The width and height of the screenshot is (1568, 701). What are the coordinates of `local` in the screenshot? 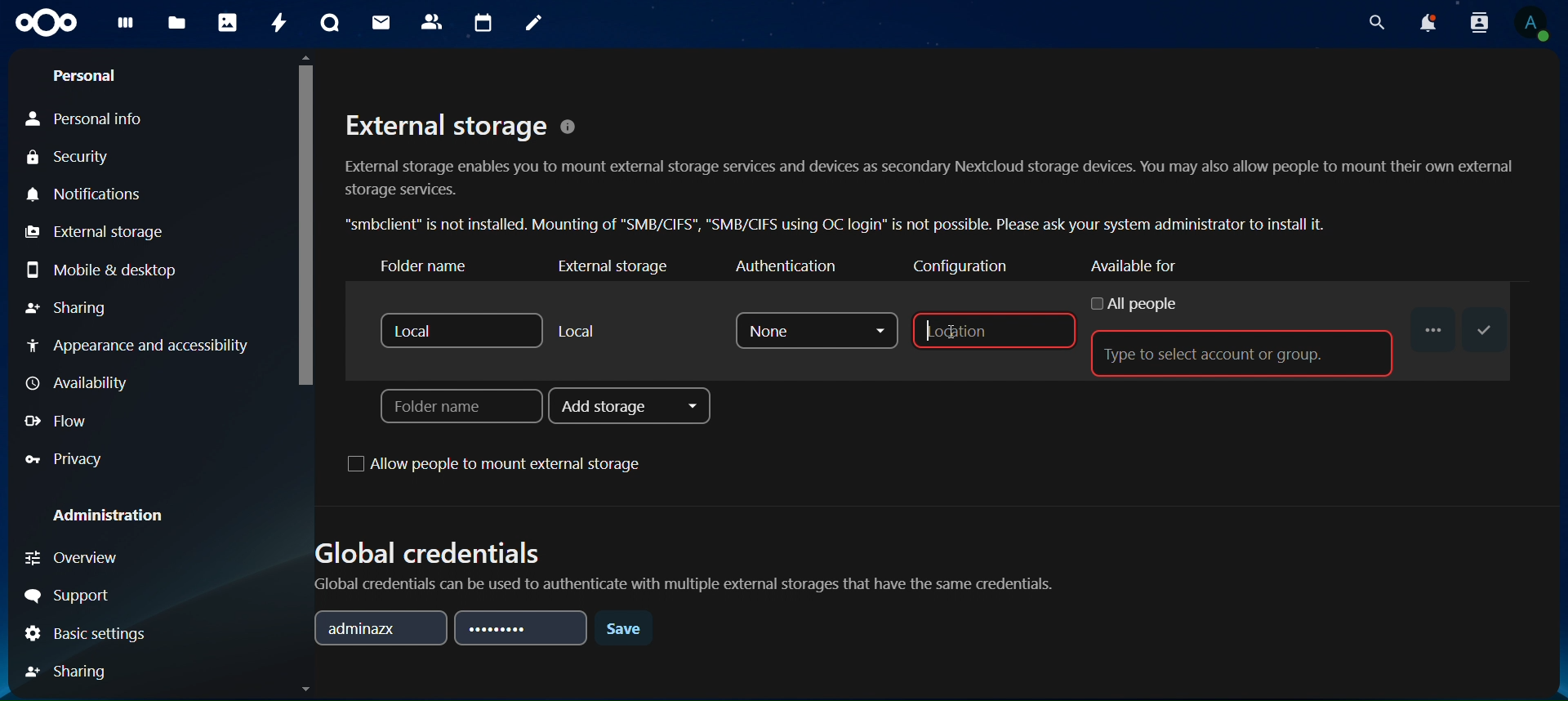 It's located at (578, 331).